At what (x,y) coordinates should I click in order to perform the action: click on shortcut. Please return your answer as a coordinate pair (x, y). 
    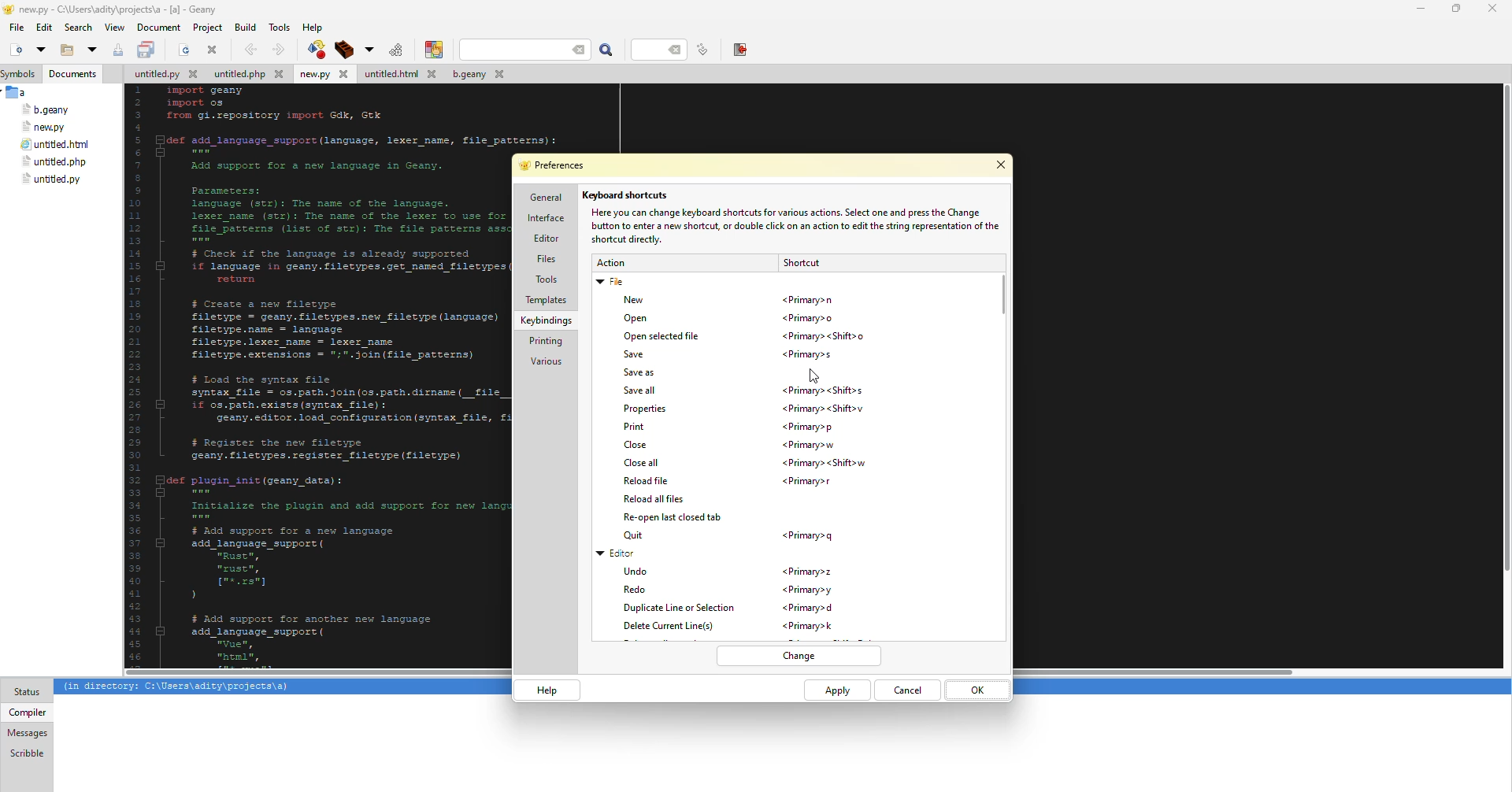
    Looking at the image, I should click on (811, 445).